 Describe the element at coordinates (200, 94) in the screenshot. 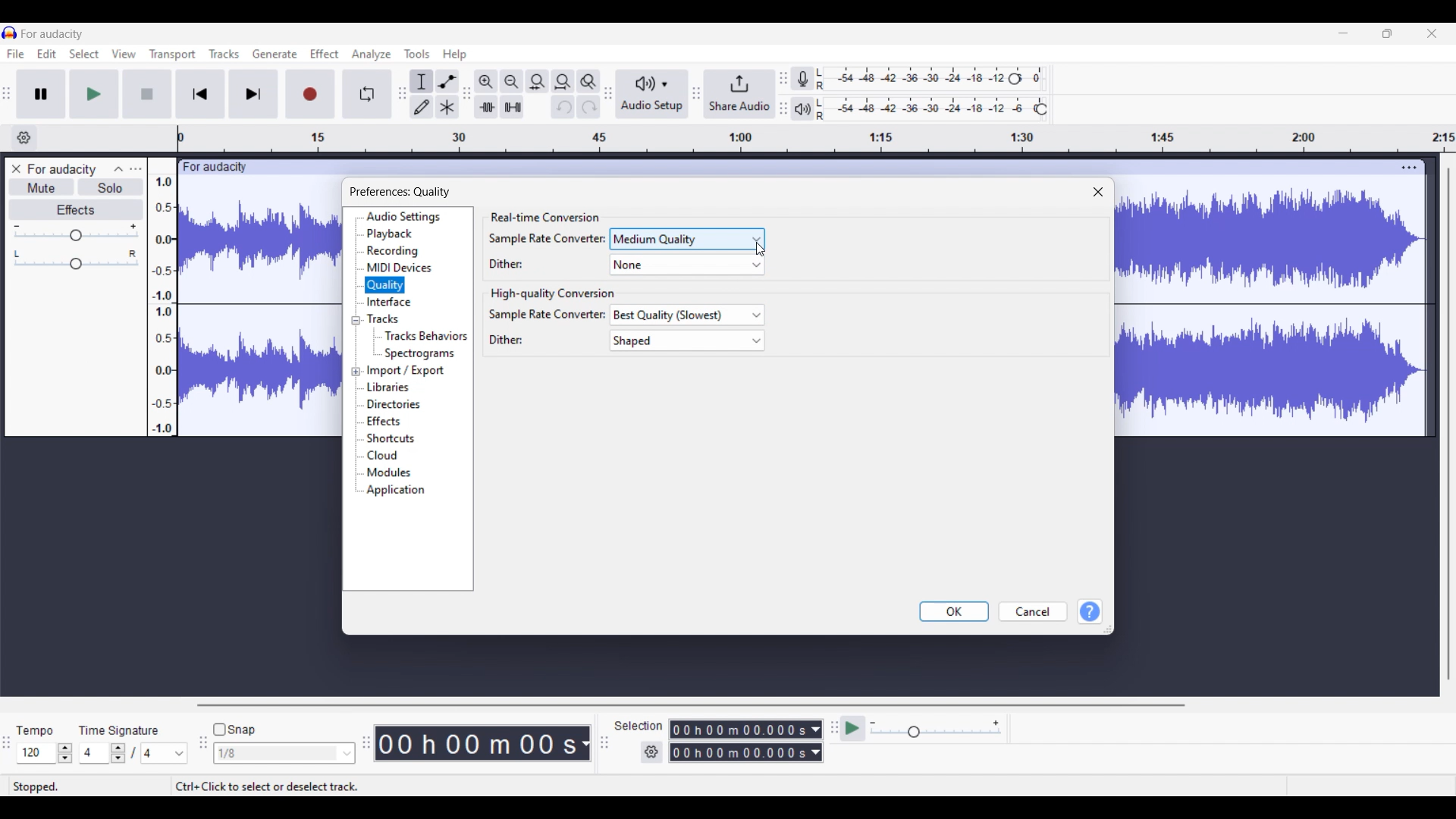

I see `Skip/Select to start` at that location.